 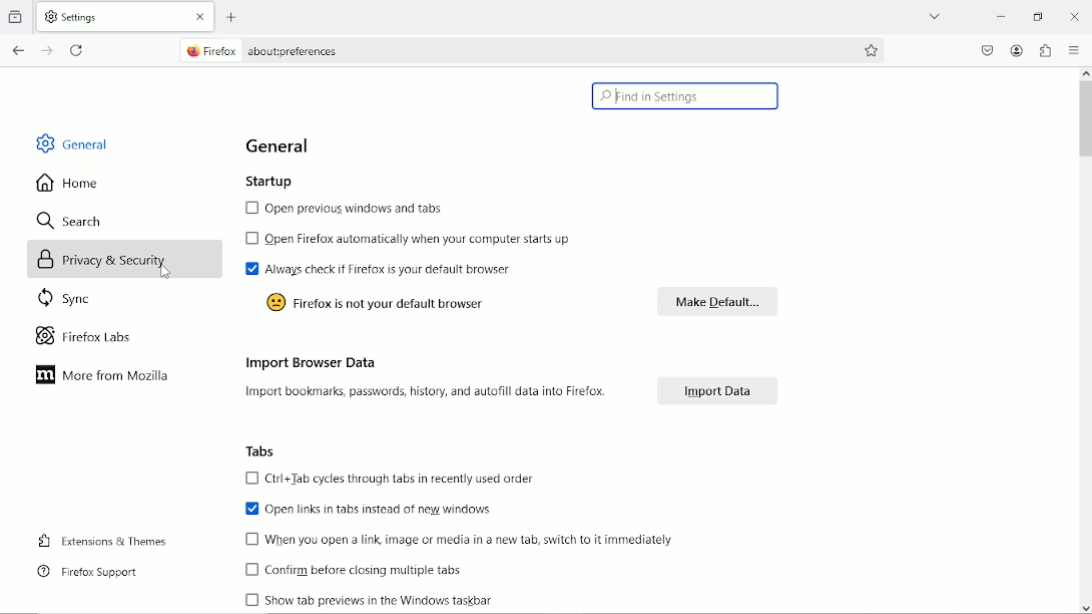 What do you see at coordinates (67, 183) in the screenshot?
I see `home` at bounding box center [67, 183].